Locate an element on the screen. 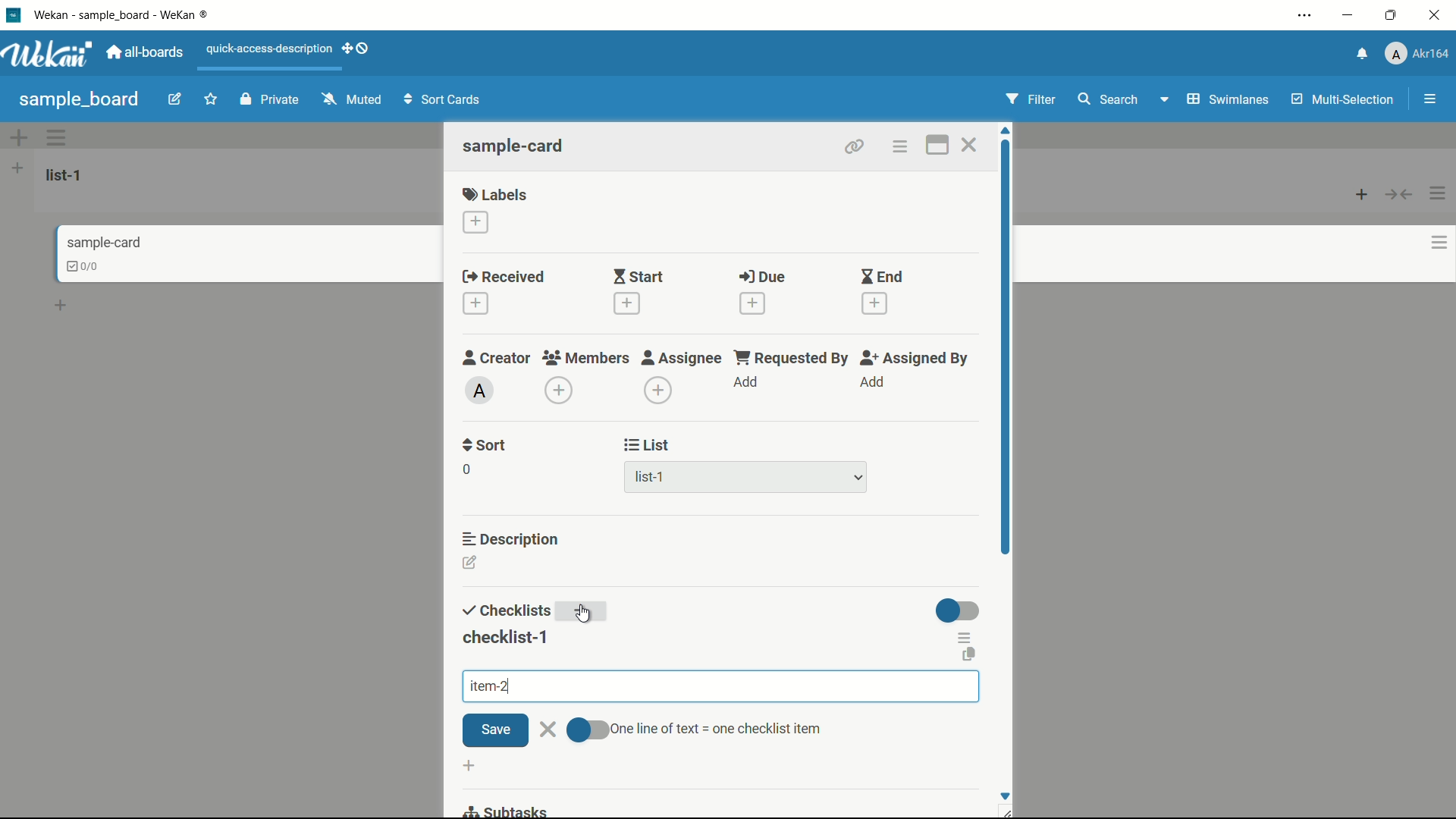 This screenshot has height=819, width=1456. quick-access-description is located at coordinates (270, 49).